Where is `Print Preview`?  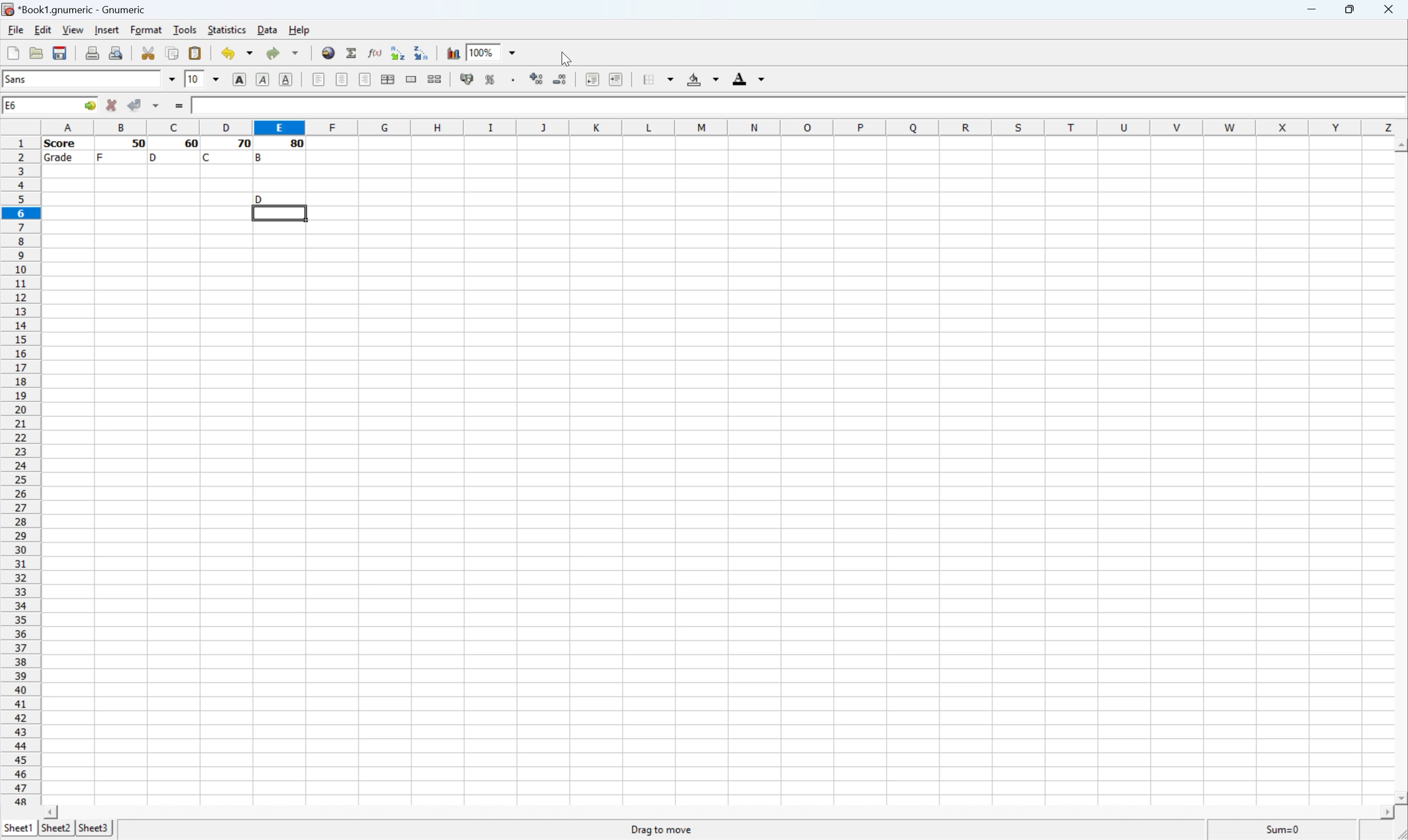 Print Preview is located at coordinates (119, 53).